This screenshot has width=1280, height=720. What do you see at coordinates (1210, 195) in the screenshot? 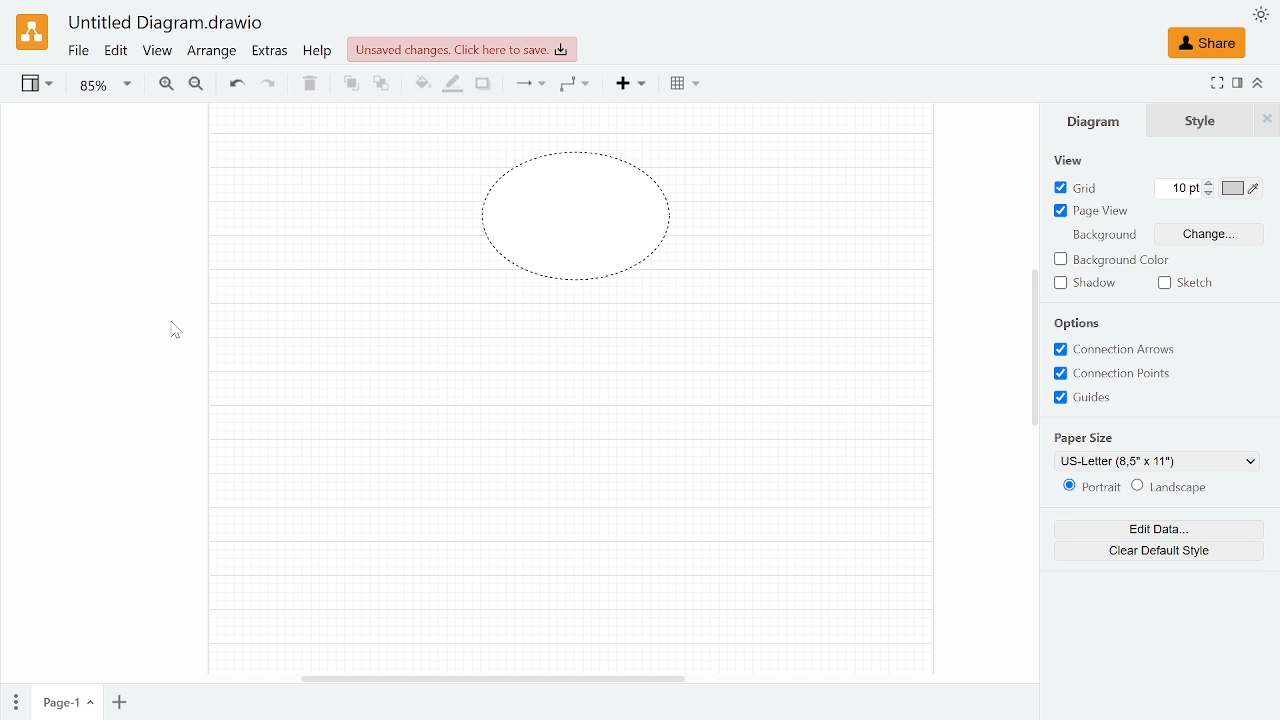
I see `Decrease grid count` at bounding box center [1210, 195].